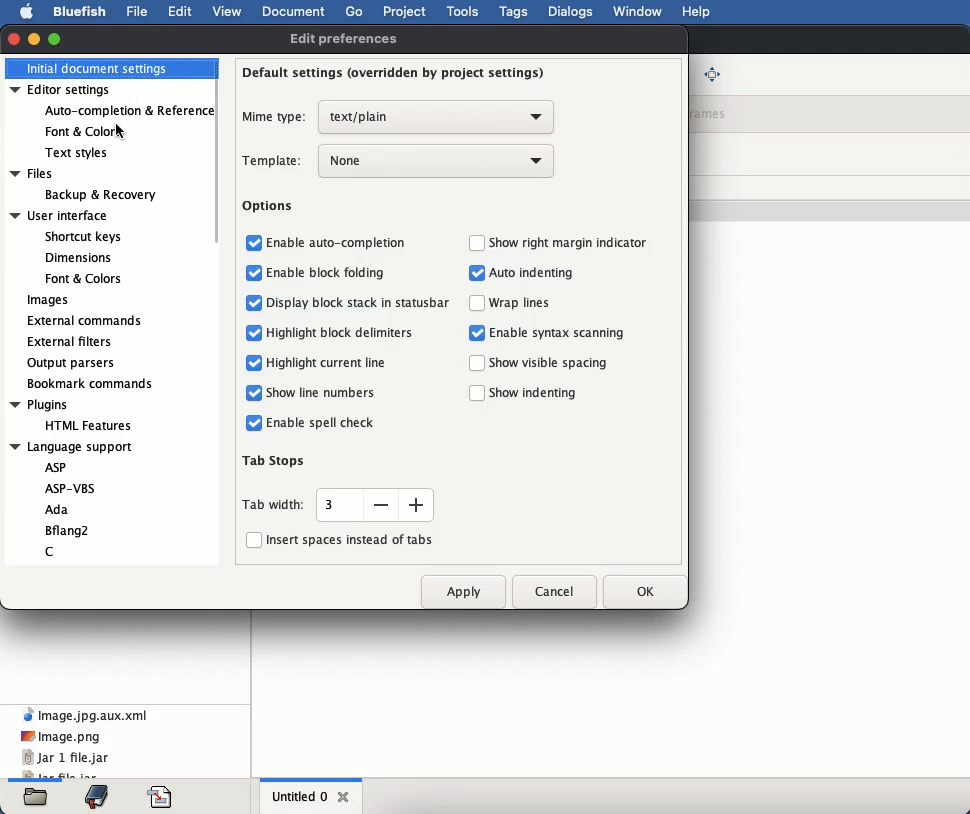  Describe the element at coordinates (65, 758) in the screenshot. I see `jar 1 file` at that location.